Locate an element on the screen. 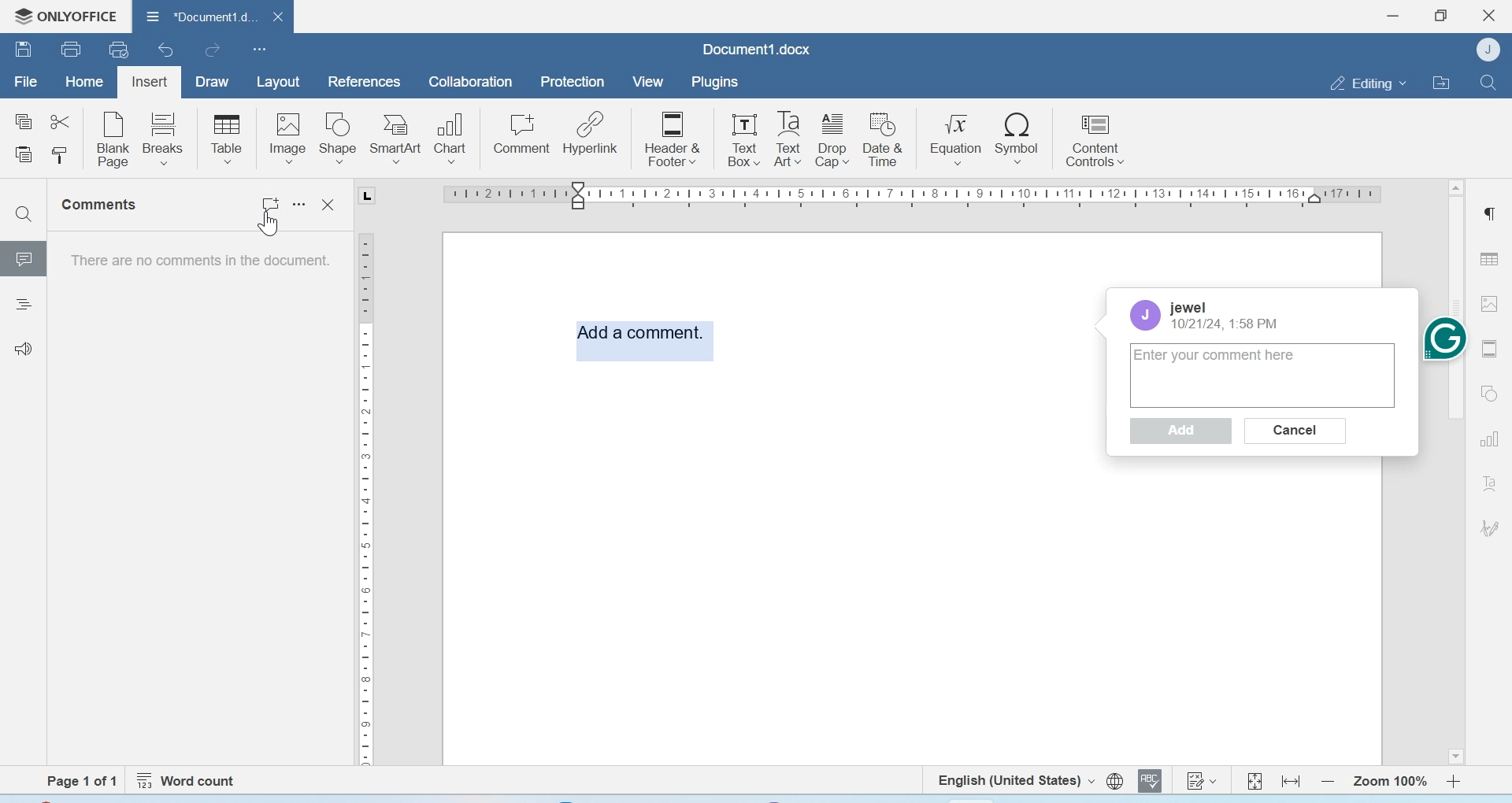 The image size is (1512, 803). Hyperlink is located at coordinates (590, 133).